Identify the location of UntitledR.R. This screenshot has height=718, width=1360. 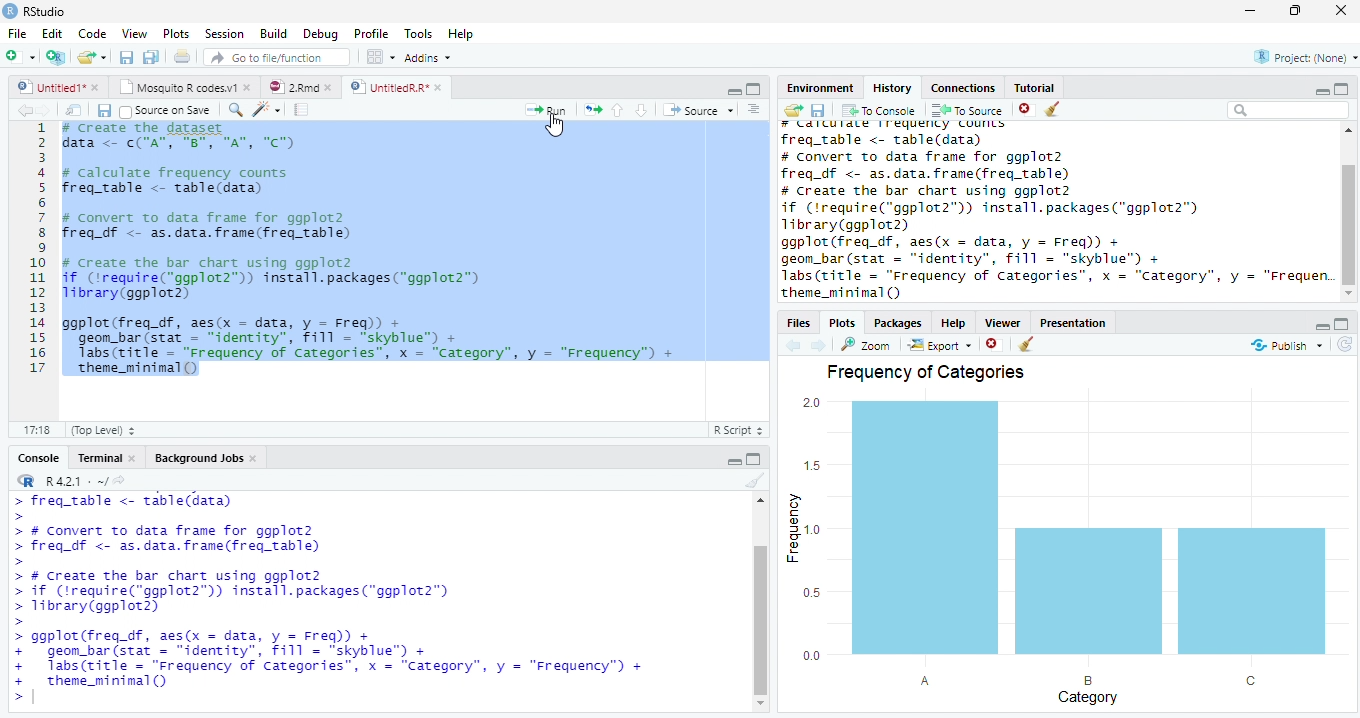
(396, 86).